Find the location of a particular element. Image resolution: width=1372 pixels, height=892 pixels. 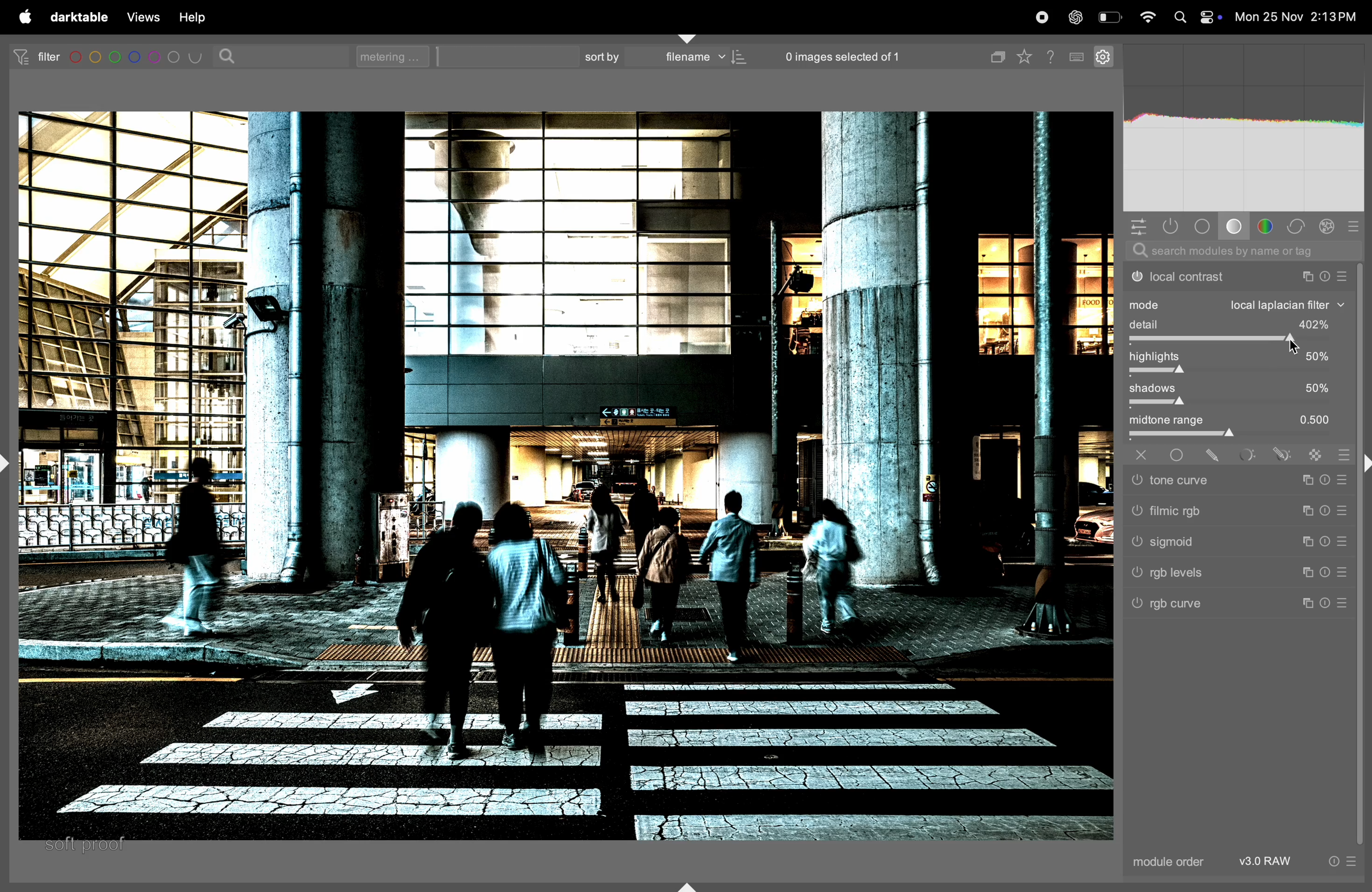

rgb curve is located at coordinates (1231, 606).